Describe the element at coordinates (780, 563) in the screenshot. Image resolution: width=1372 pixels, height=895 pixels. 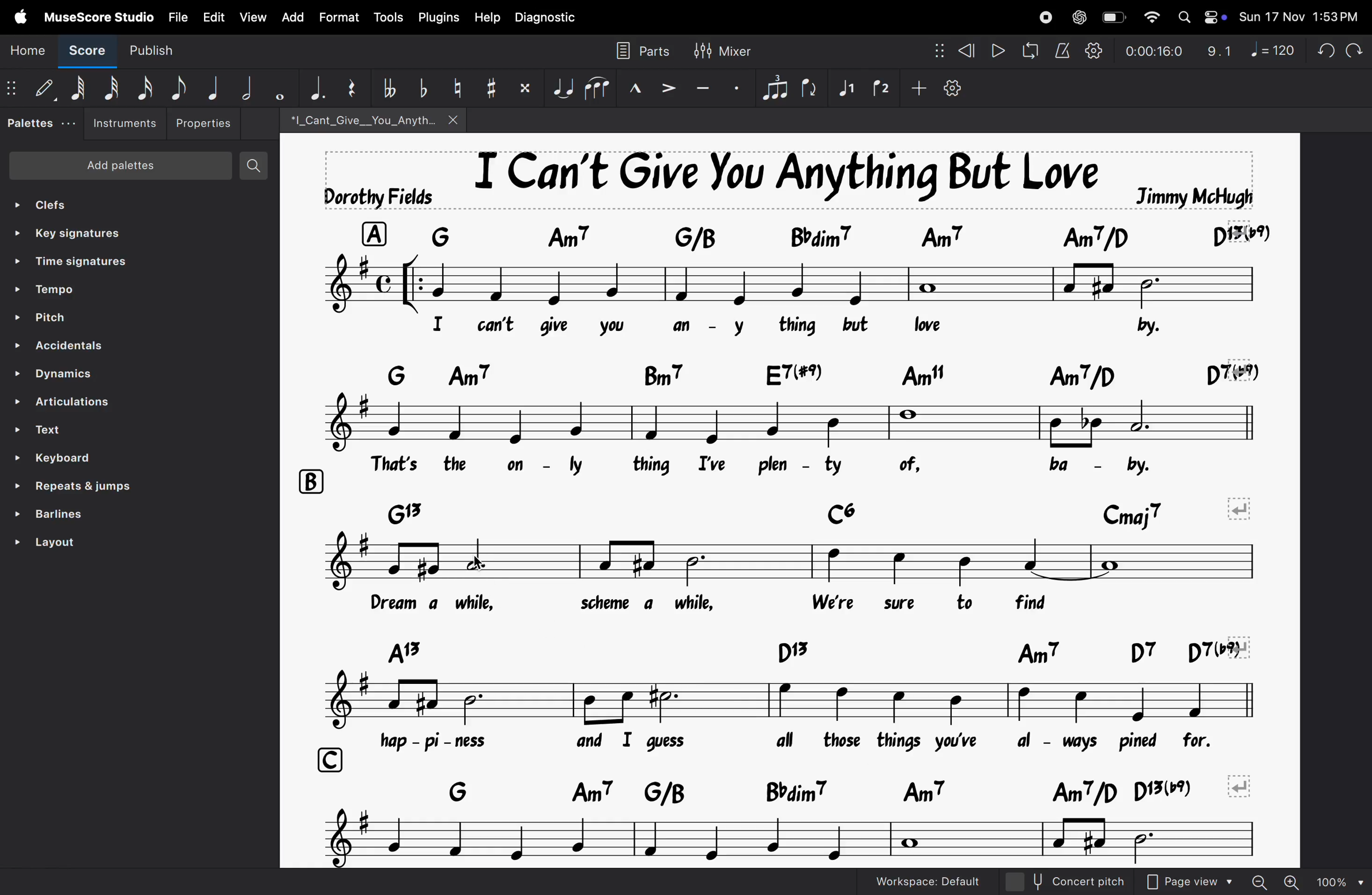
I see `notes` at that location.